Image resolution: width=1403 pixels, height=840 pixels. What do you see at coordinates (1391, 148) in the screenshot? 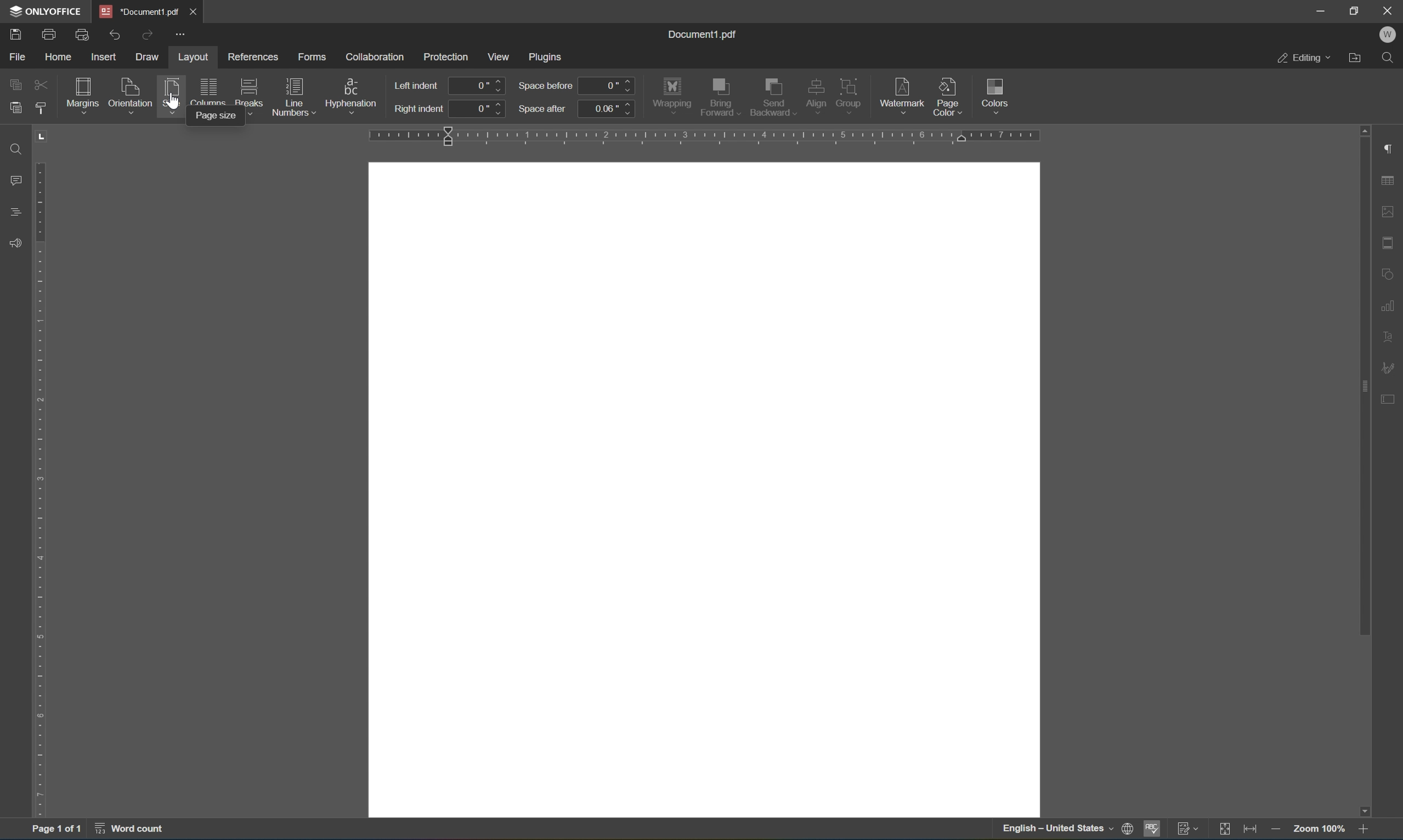
I see `paragraph settings` at bounding box center [1391, 148].